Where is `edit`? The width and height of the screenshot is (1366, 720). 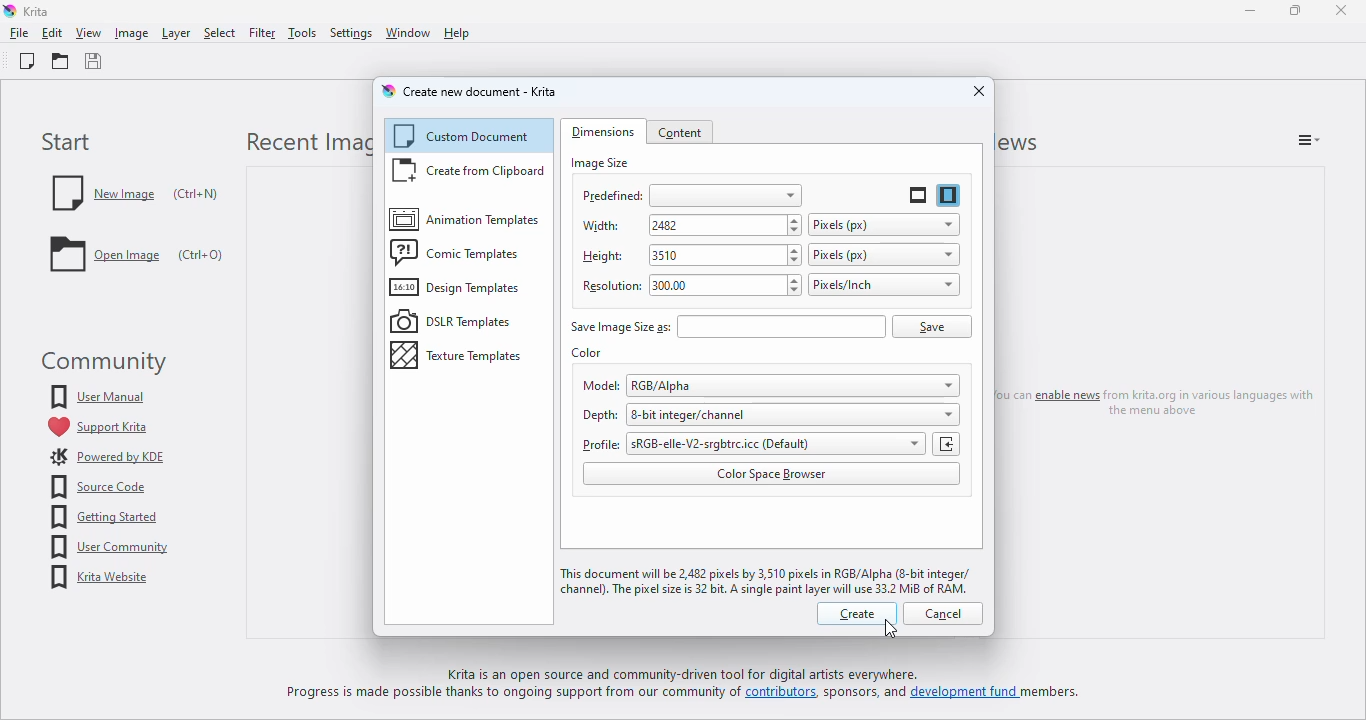 edit is located at coordinates (51, 33).